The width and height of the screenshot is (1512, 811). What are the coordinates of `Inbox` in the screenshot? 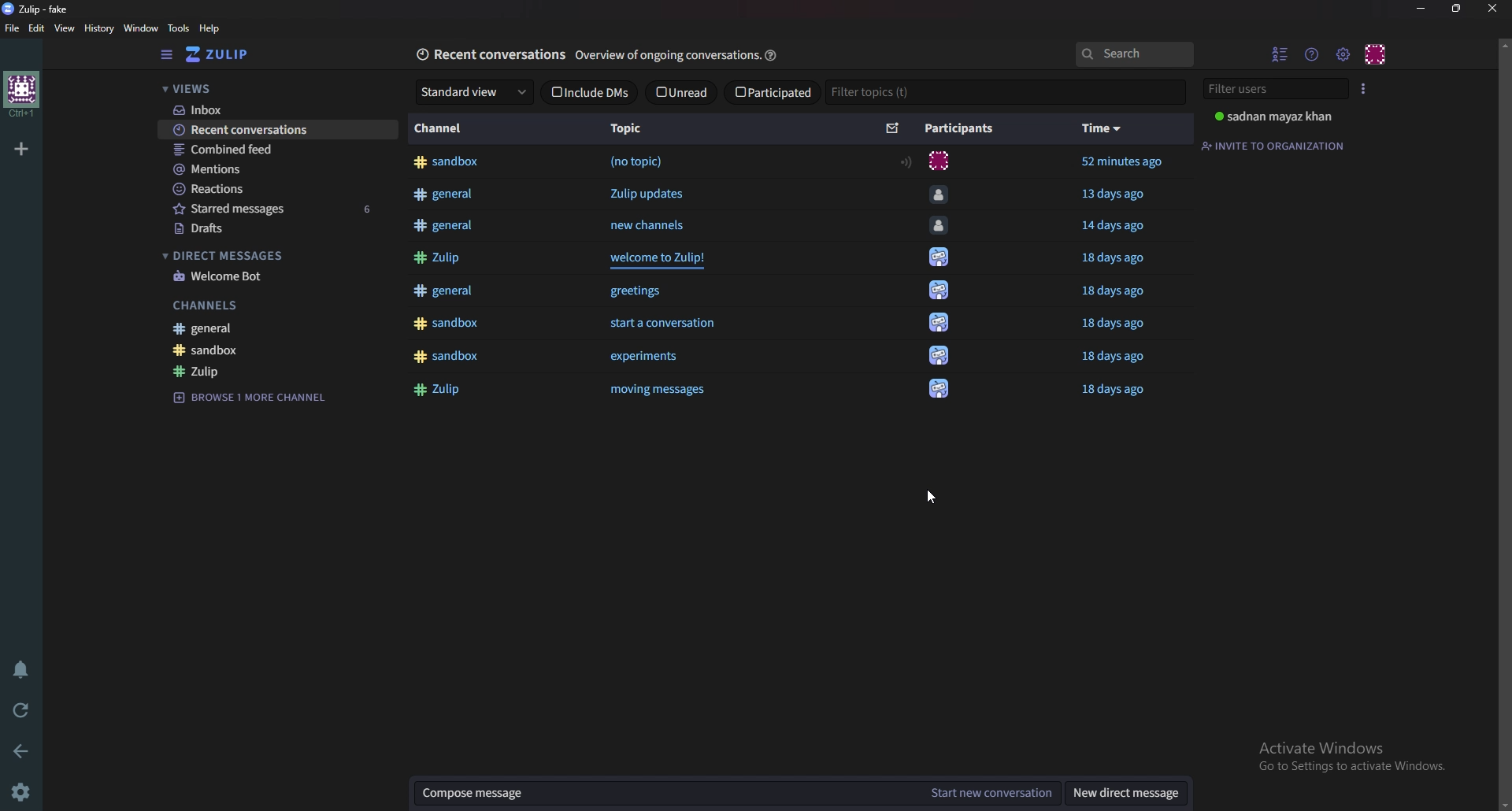 It's located at (272, 111).